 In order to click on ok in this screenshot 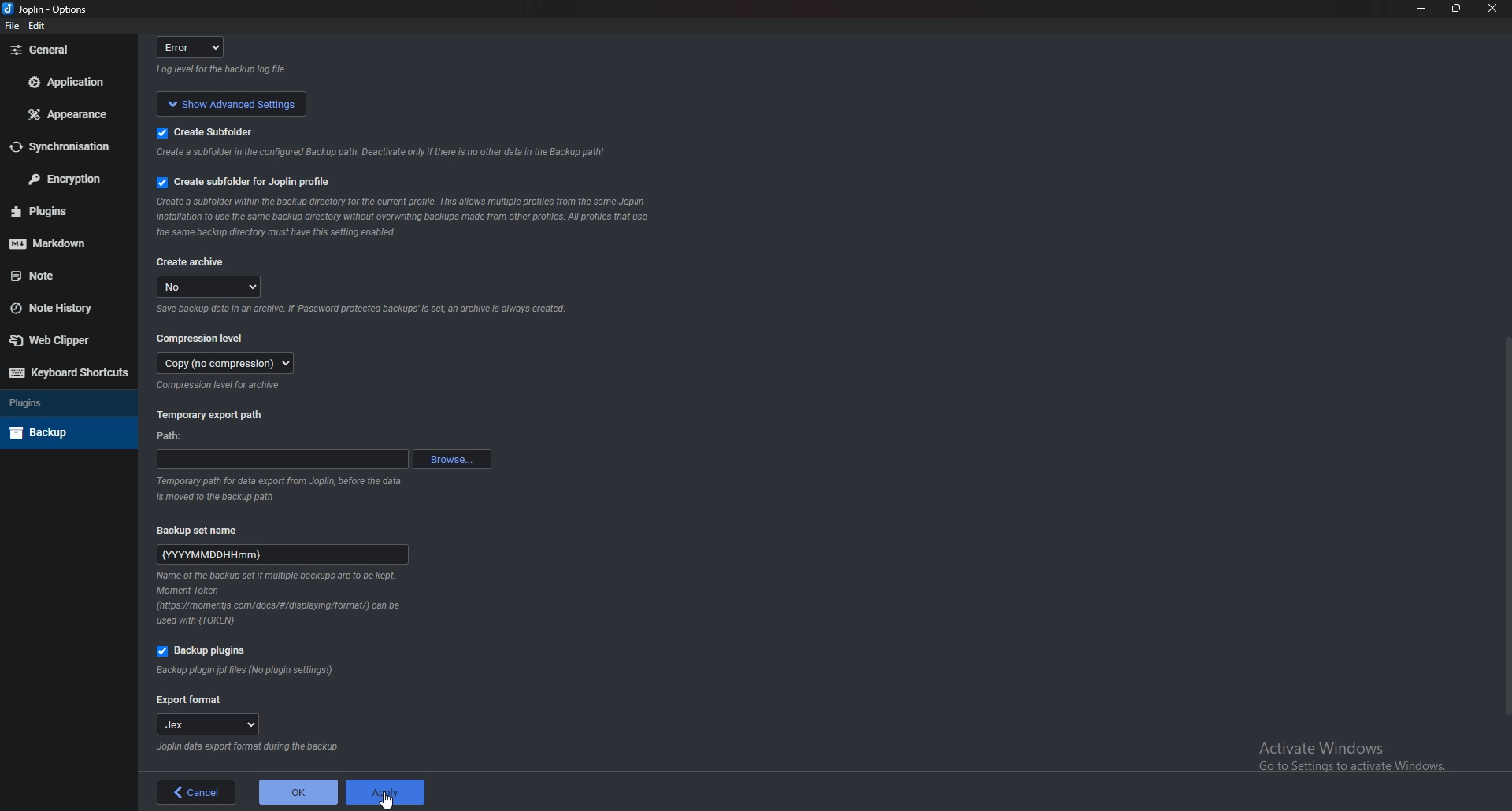, I will do `click(298, 792)`.